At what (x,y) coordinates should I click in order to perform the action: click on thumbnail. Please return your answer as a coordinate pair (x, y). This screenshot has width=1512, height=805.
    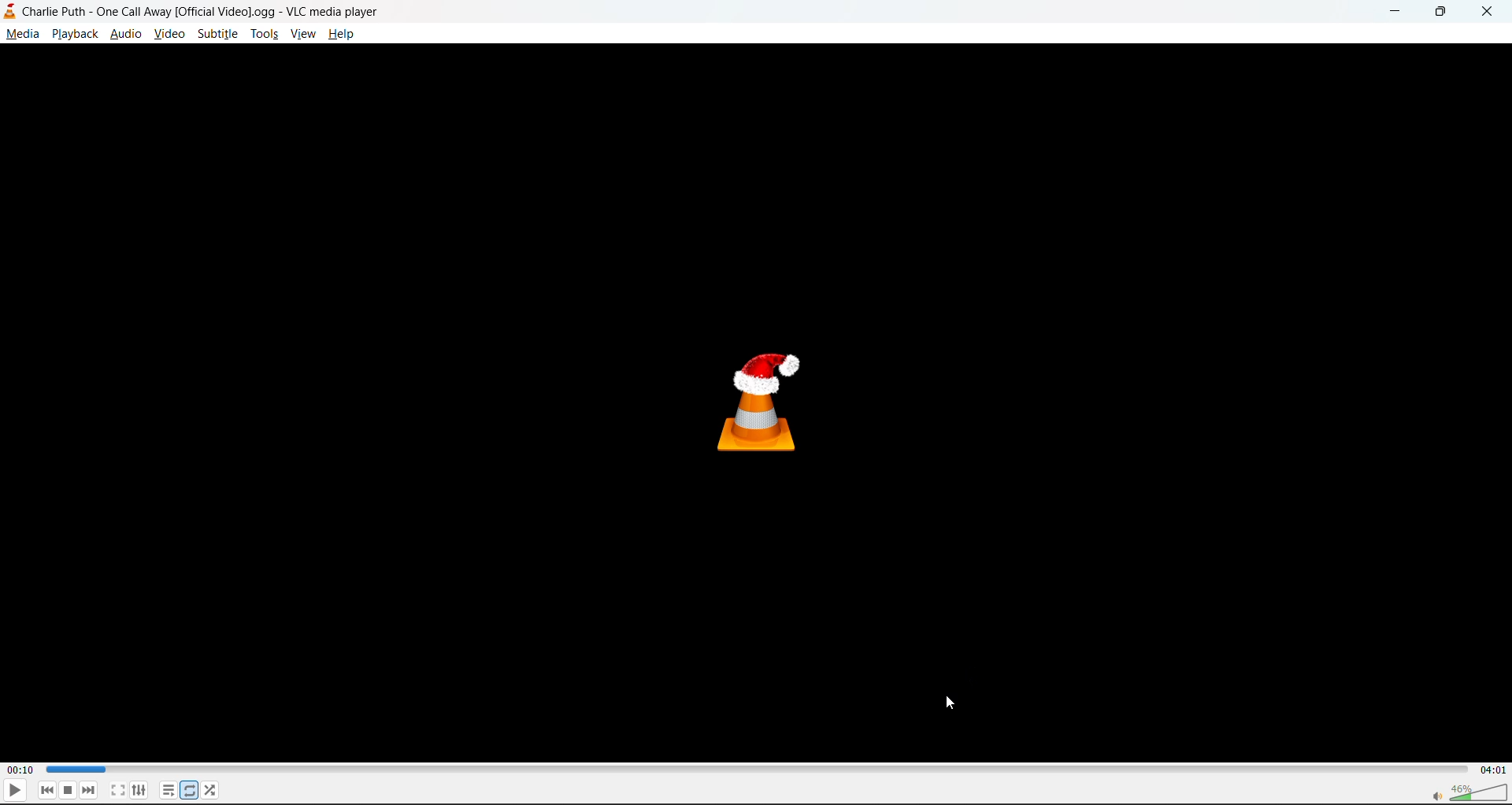
    Looking at the image, I should click on (759, 398).